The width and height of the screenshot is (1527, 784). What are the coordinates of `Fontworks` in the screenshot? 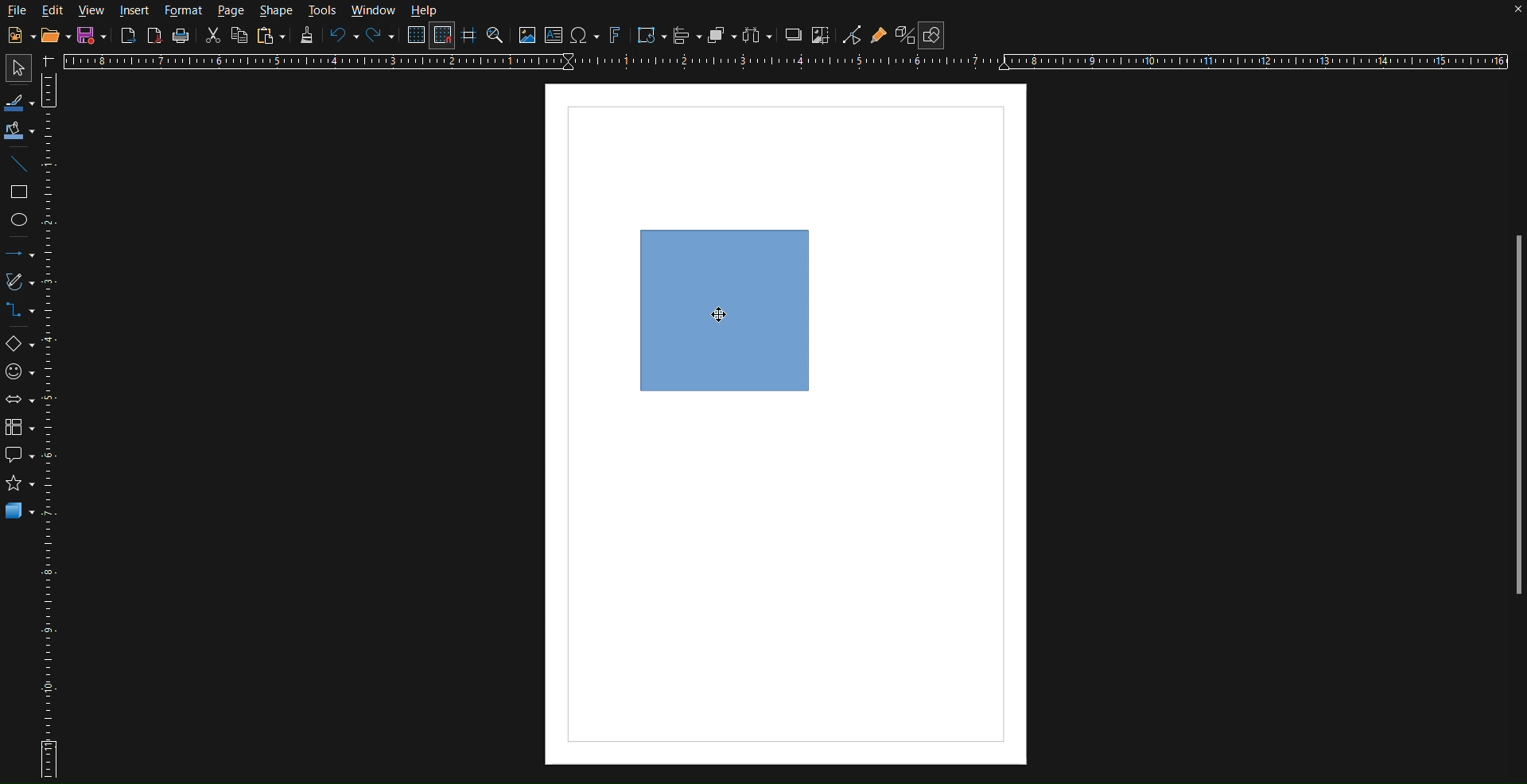 It's located at (616, 37).